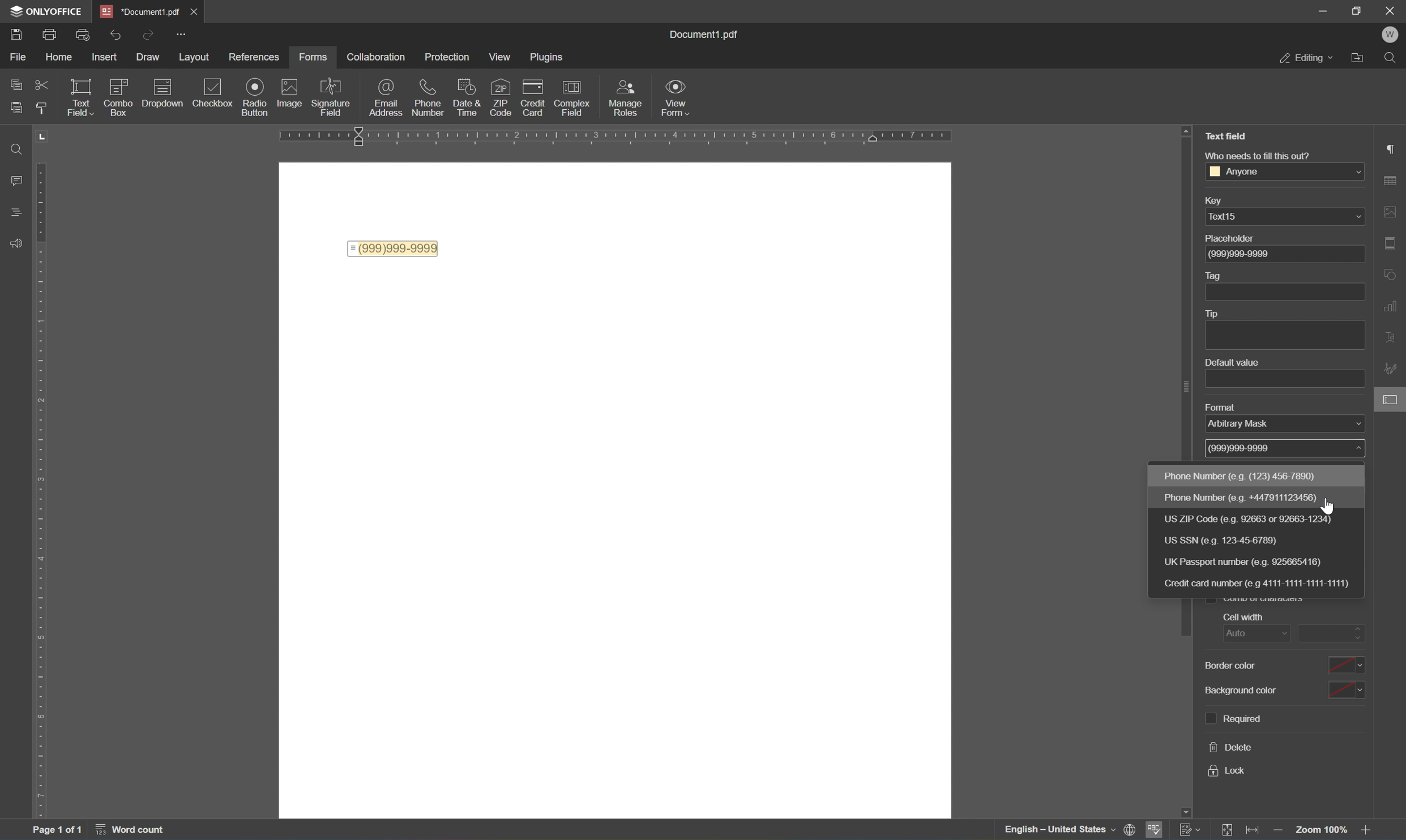 This screenshot has width=1406, height=840. What do you see at coordinates (42, 85) in the screenshot?
I see `cut` at bounding box center [42, 85].